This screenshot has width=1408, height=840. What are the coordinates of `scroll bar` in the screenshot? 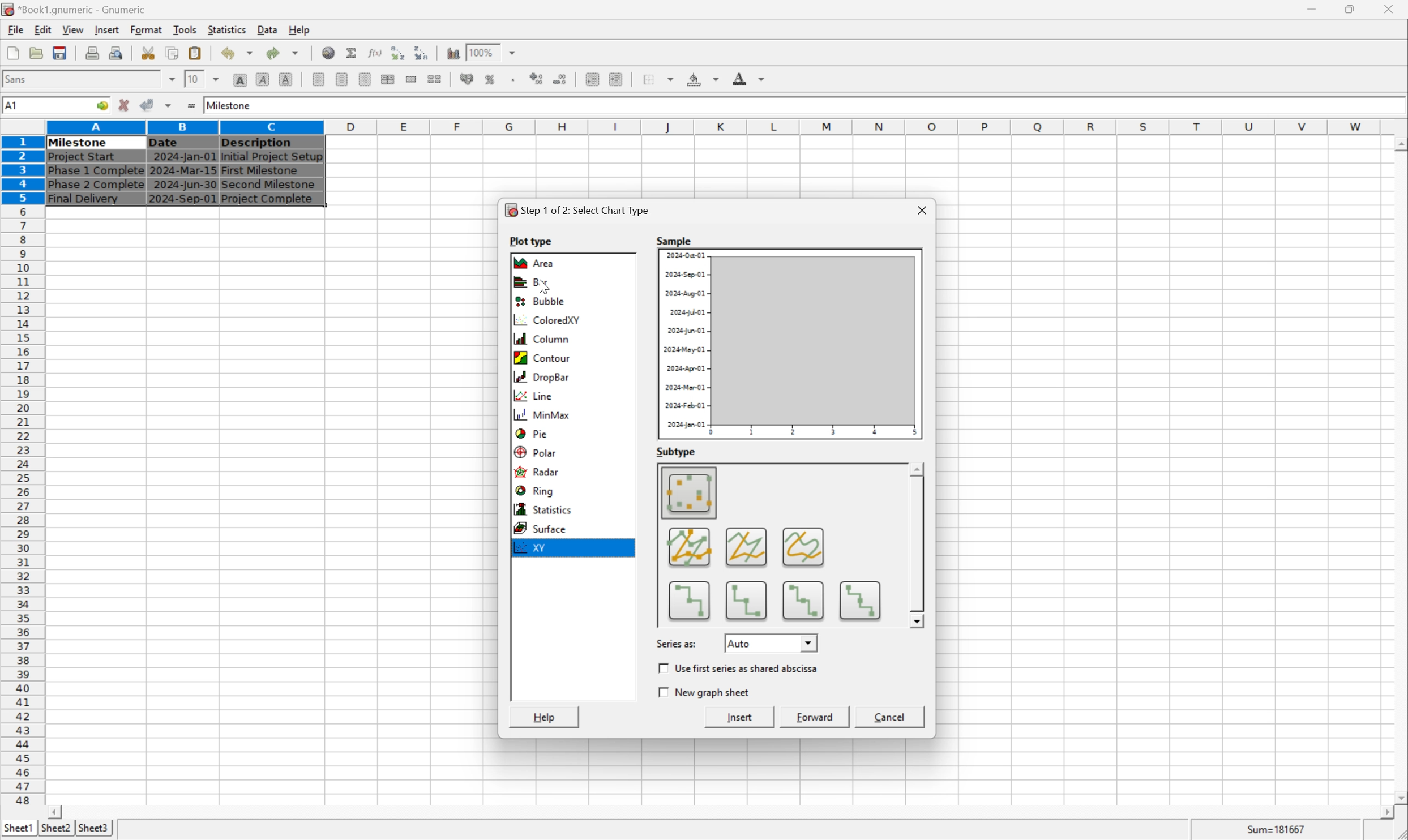 It's located at (917, 545).